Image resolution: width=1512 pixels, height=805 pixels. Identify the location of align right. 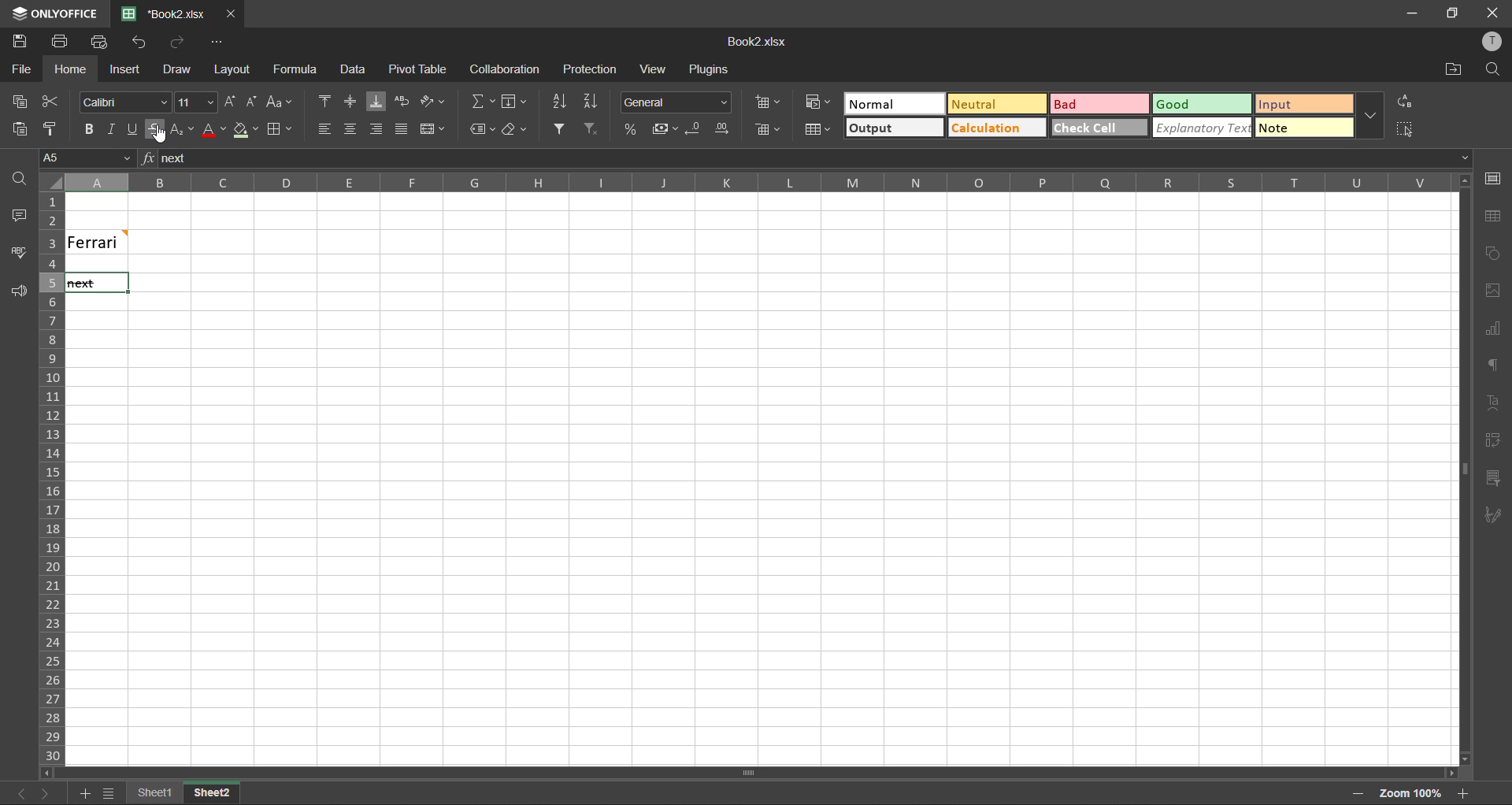
(377, 129).